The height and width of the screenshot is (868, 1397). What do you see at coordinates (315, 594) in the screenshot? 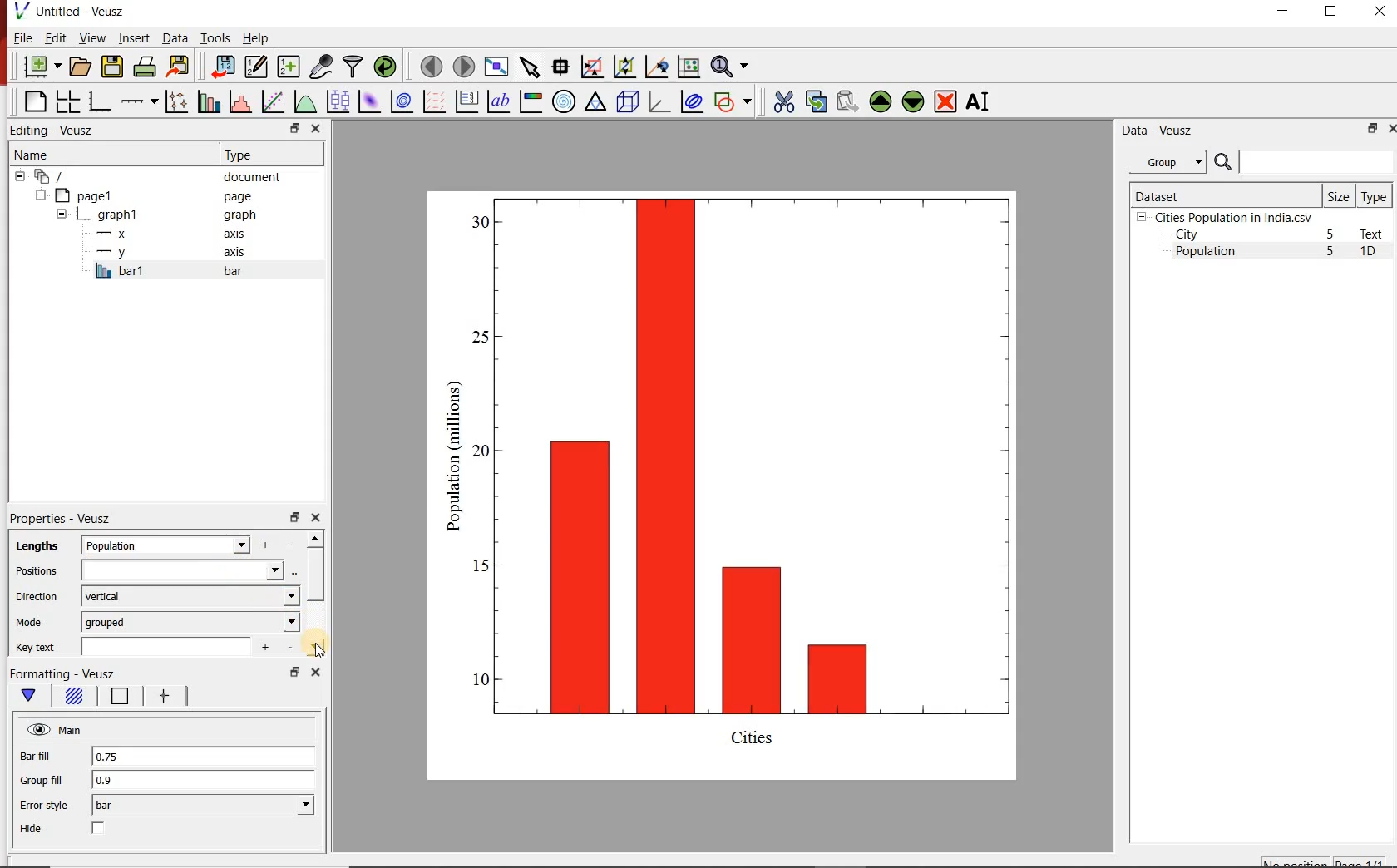
I see `scrollbar` at bounding box center [315, 594].